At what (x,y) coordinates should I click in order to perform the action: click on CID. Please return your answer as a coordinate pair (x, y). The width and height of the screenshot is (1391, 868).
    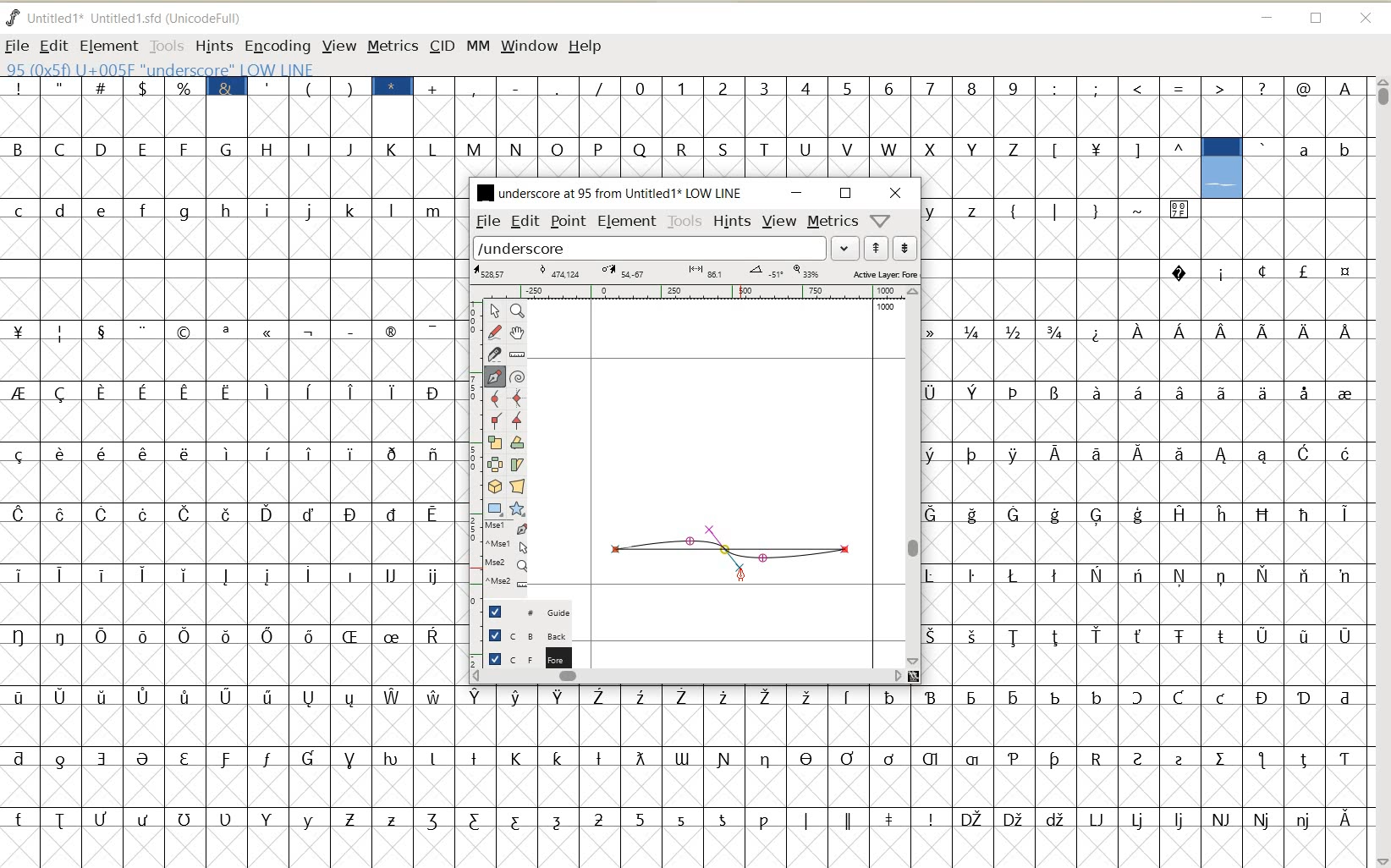
    Looking at the image, I should click on (442, 47).